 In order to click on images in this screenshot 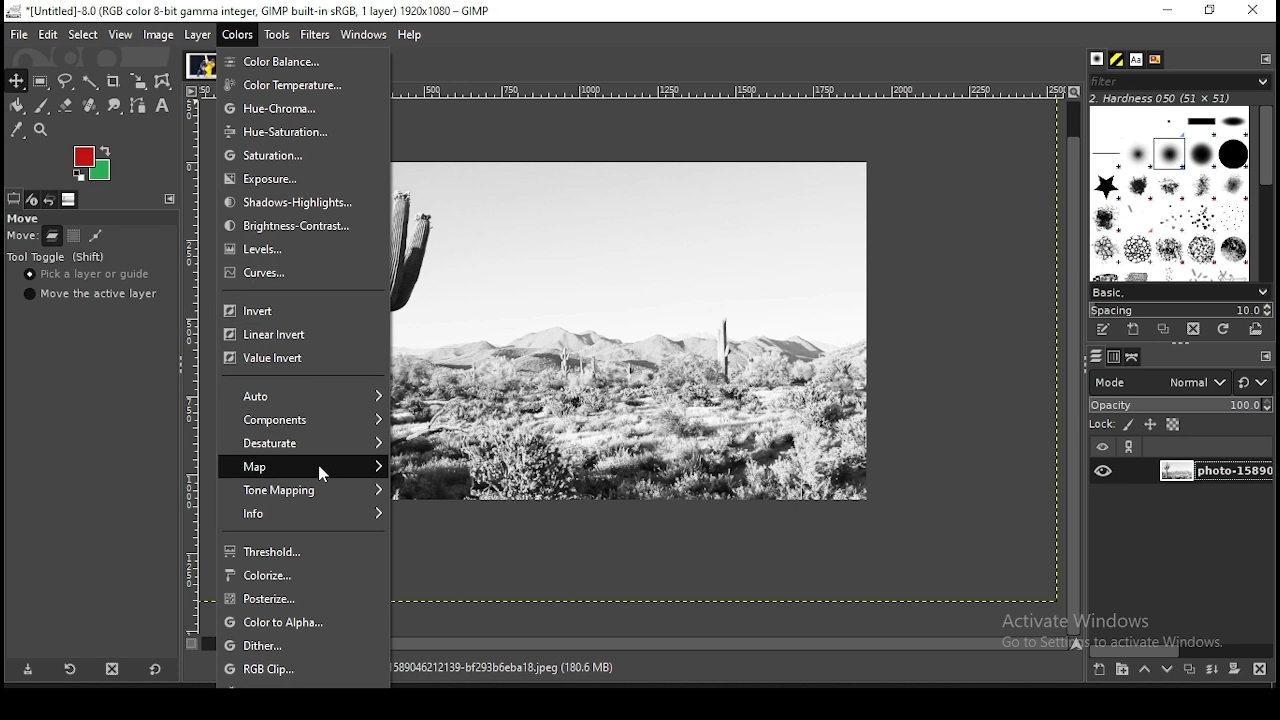, I will do `click(70, 200)`.